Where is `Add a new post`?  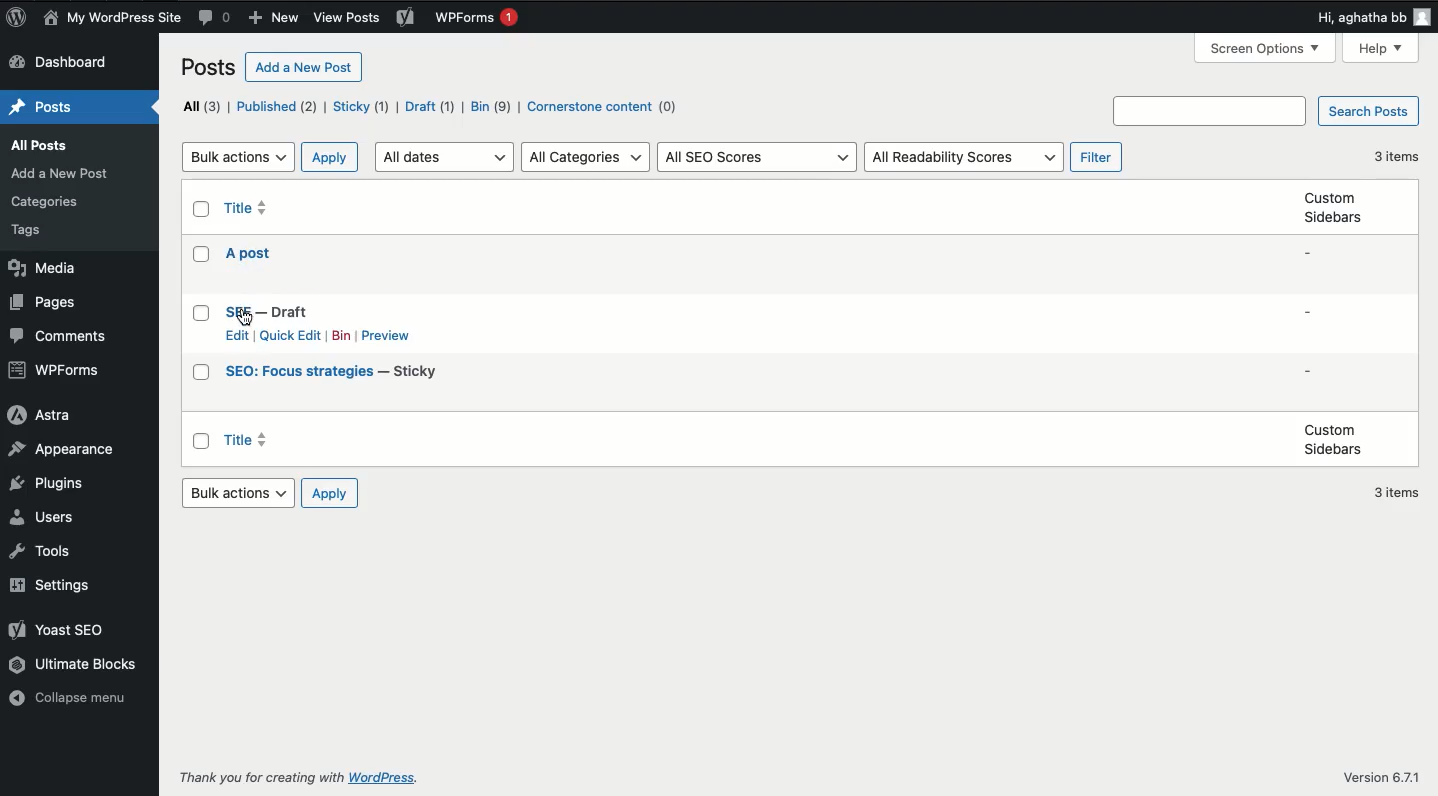 Add a new post is located at coordinates (306, 67).